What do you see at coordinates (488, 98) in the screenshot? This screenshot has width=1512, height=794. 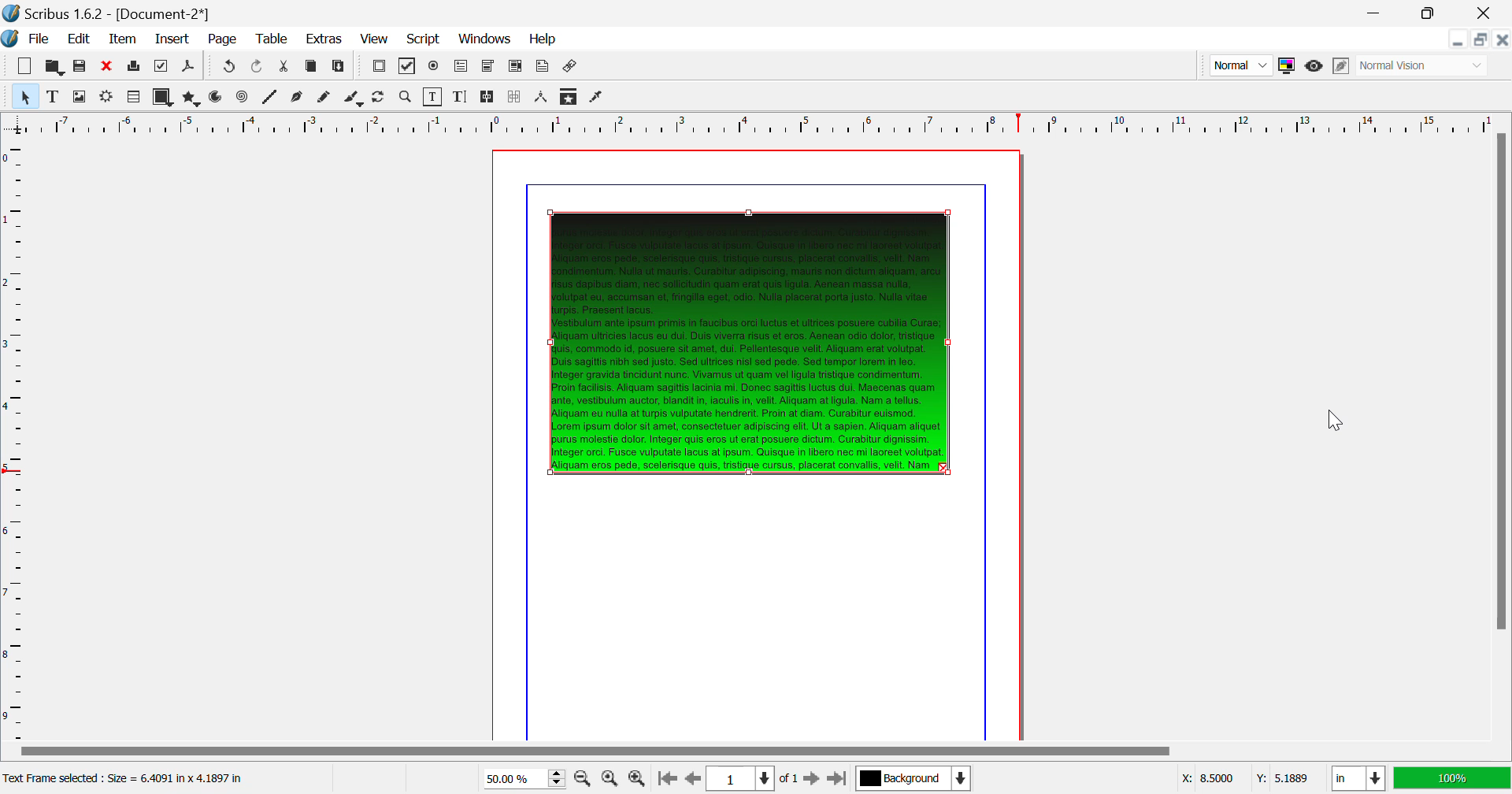 I see `Link Text Frames` at bounding box center [488, 98].